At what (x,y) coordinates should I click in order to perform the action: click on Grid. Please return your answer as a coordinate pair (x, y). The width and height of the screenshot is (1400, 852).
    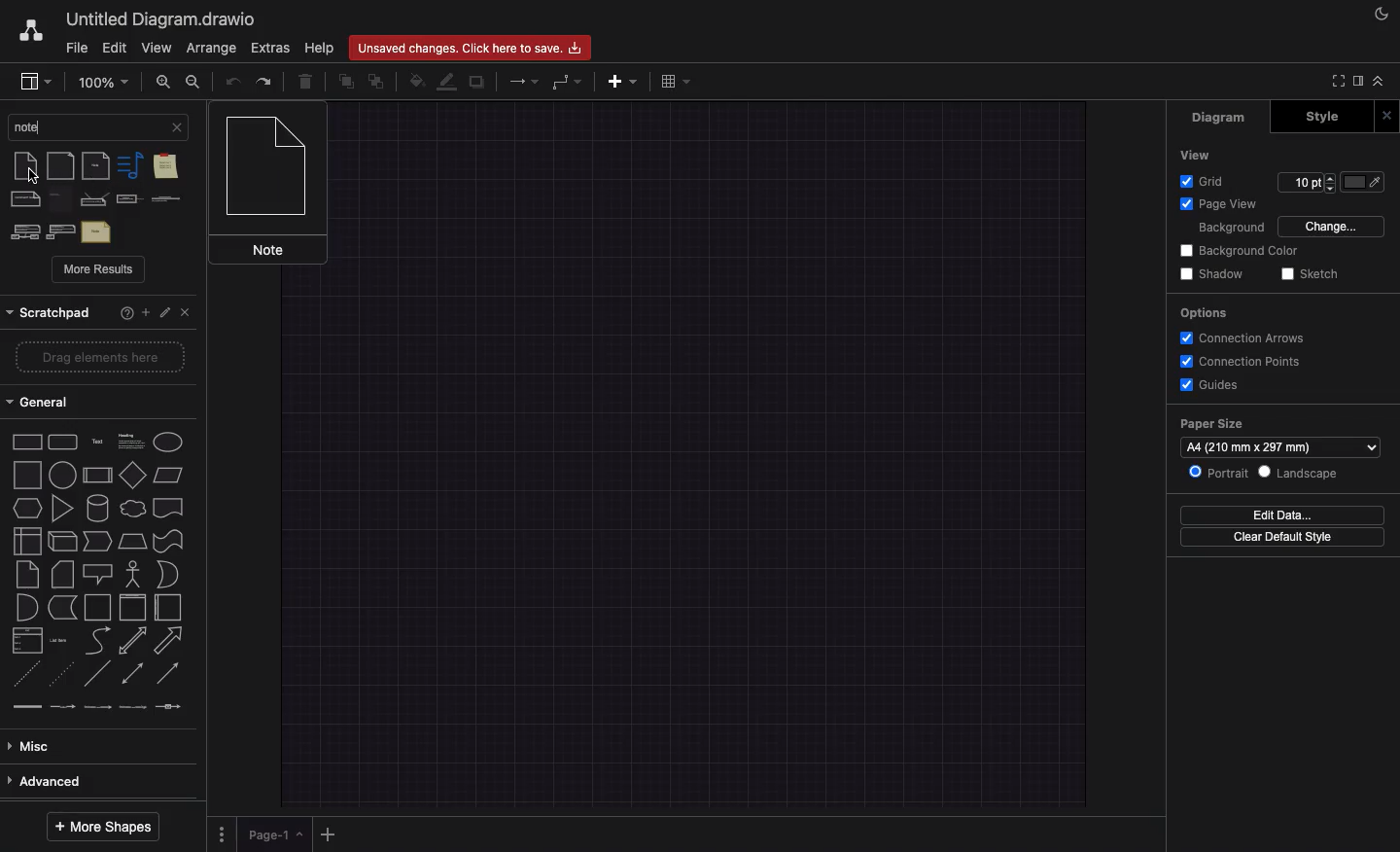
    Looking at the image, I should click on (1211, 180).